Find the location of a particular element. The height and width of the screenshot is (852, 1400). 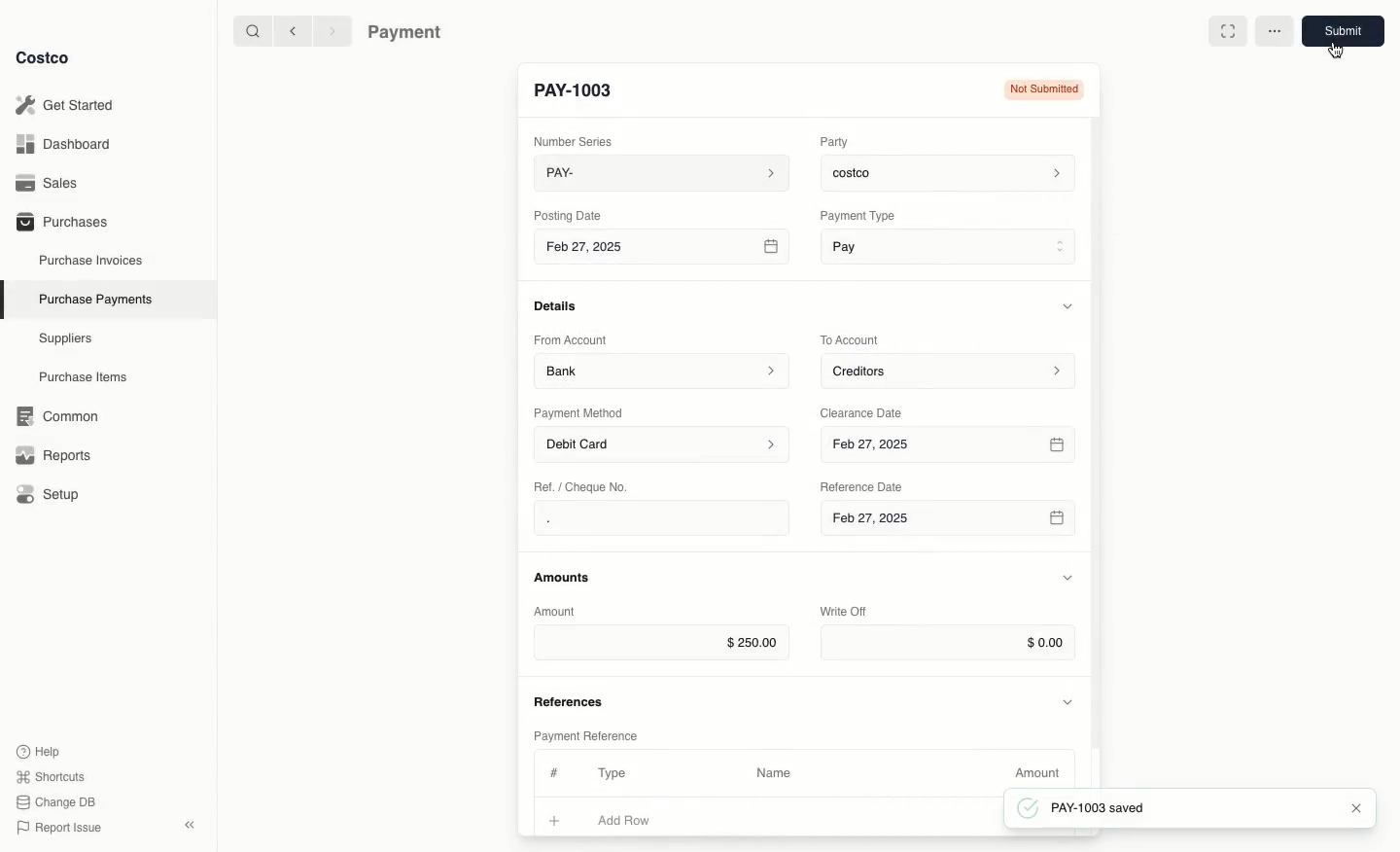

Pay is located at coordinates (951, 245).